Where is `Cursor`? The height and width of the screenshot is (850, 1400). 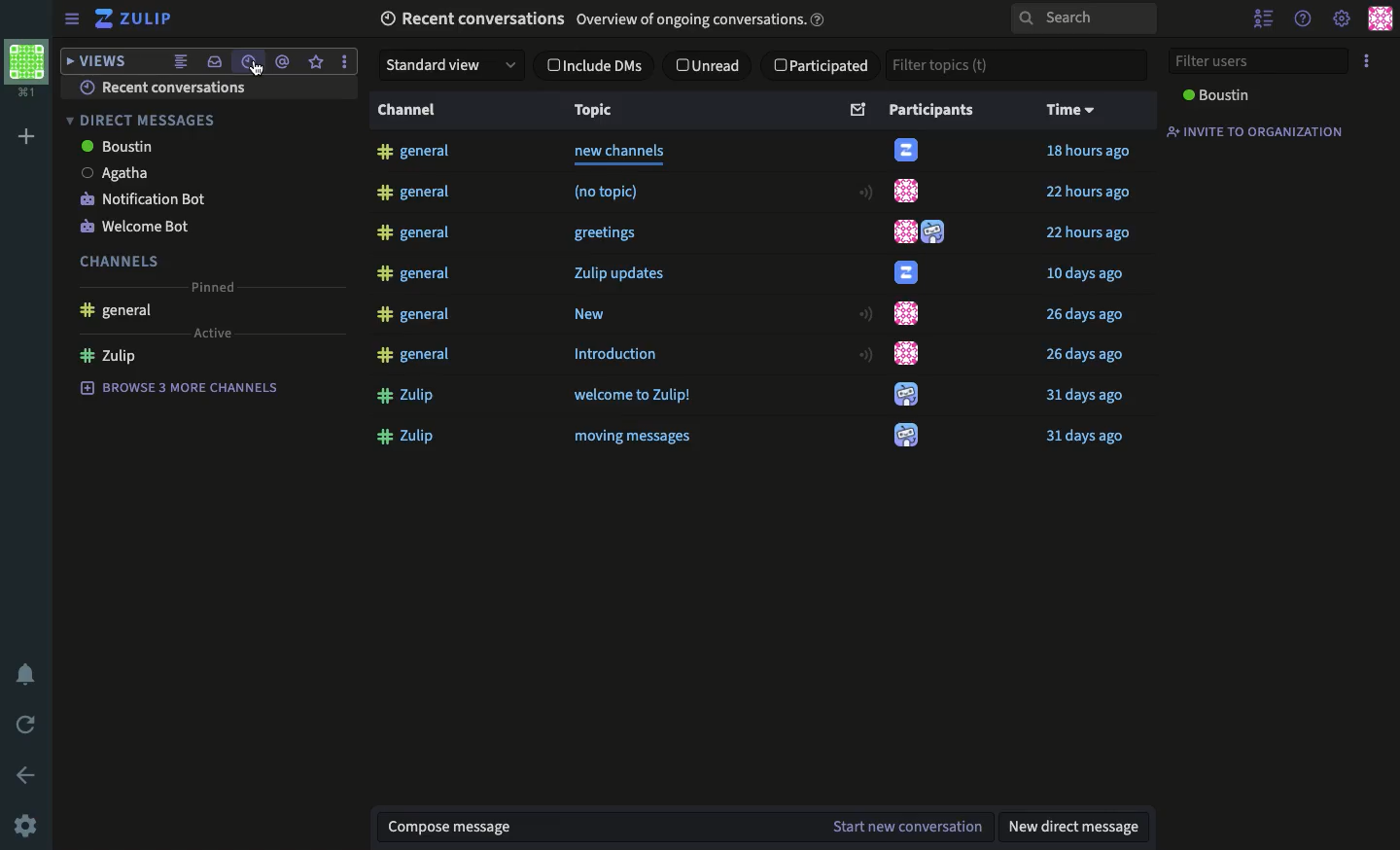 Cursor is located at coordinates (254, 69).